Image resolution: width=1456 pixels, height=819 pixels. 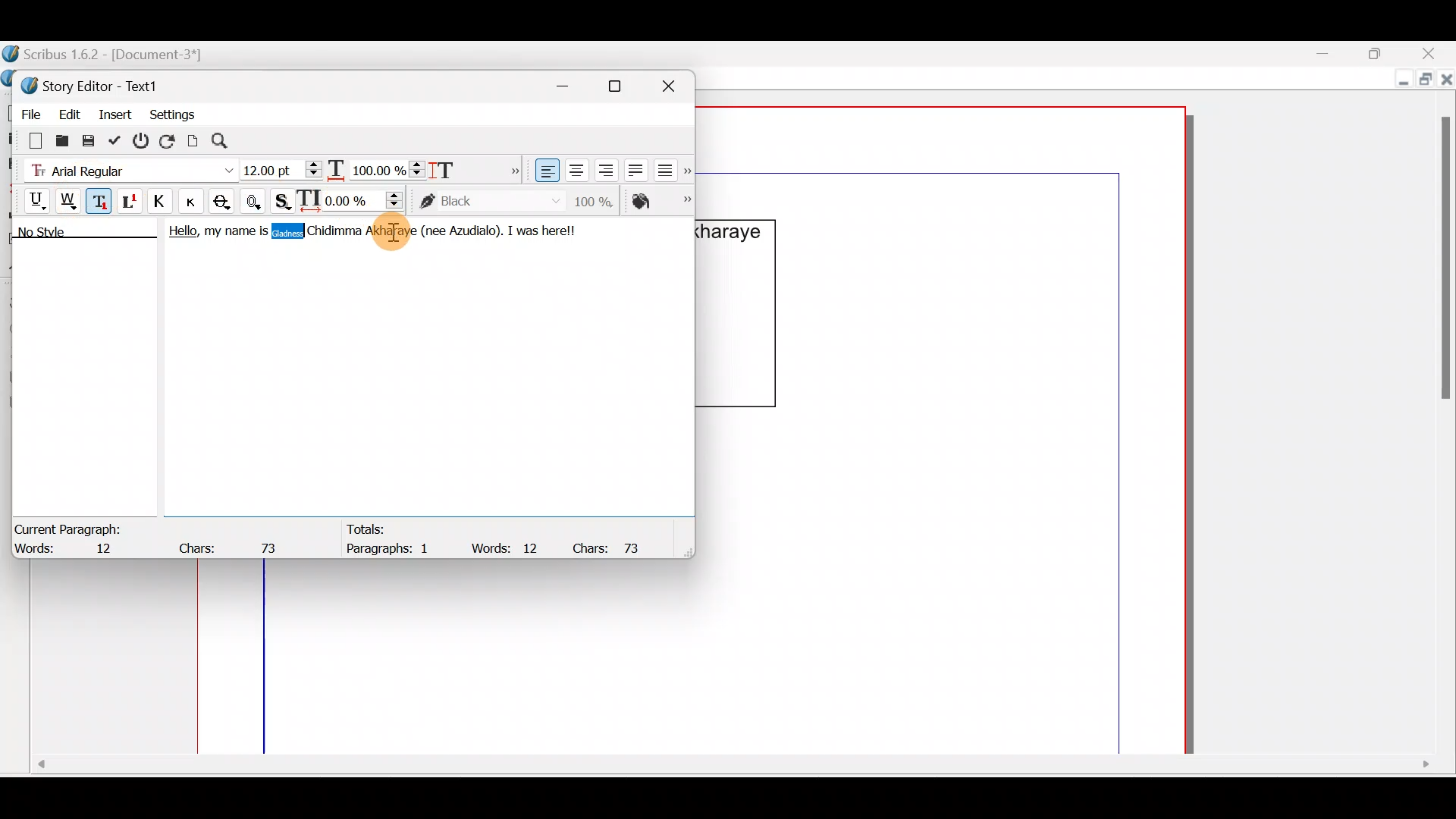 What do you see at coordinates (335, 227) in the screenshot?
I see `Chidimma` at bounding box center [335, 227].